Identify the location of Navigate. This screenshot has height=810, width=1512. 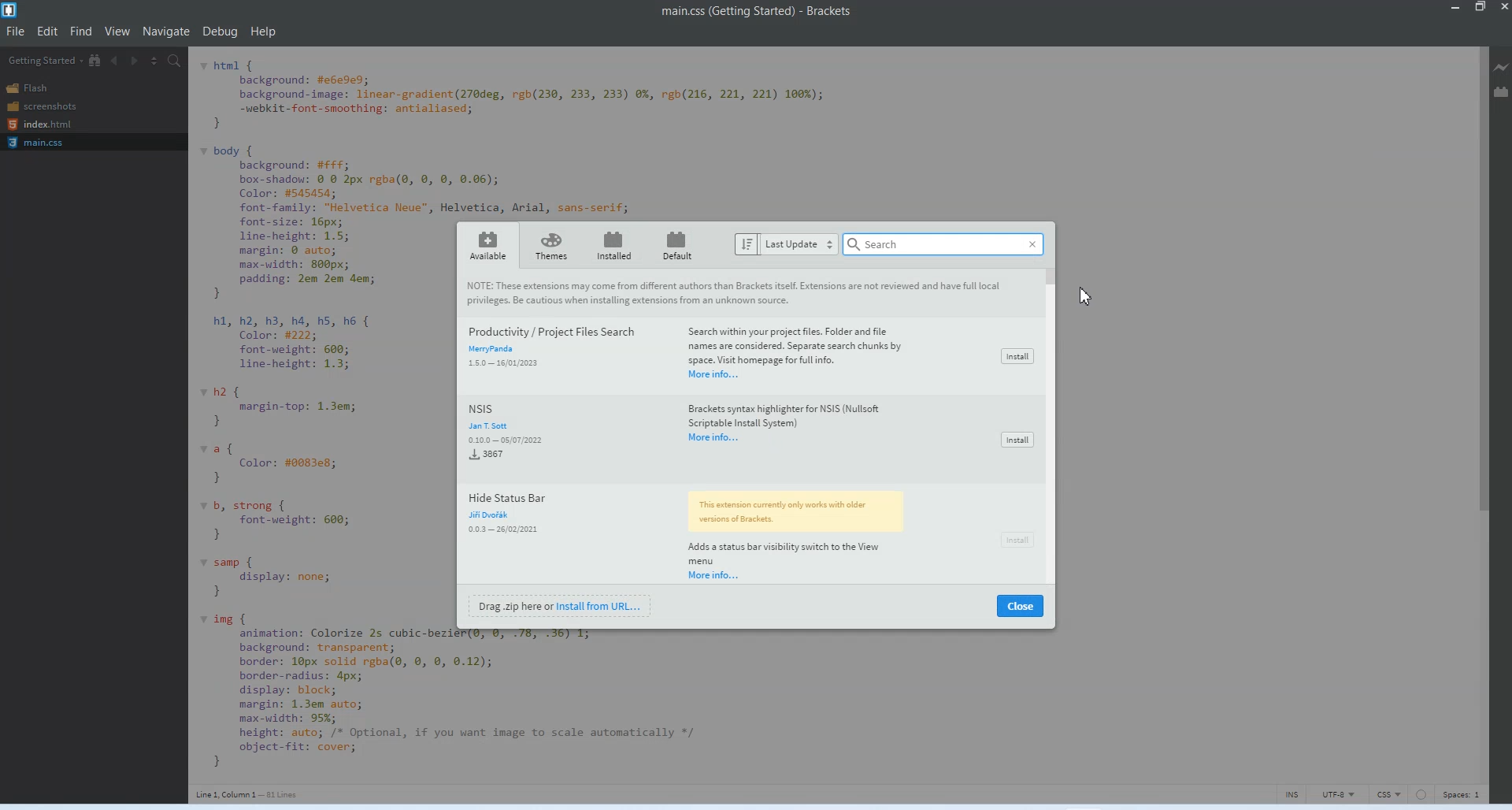
(168, 32).